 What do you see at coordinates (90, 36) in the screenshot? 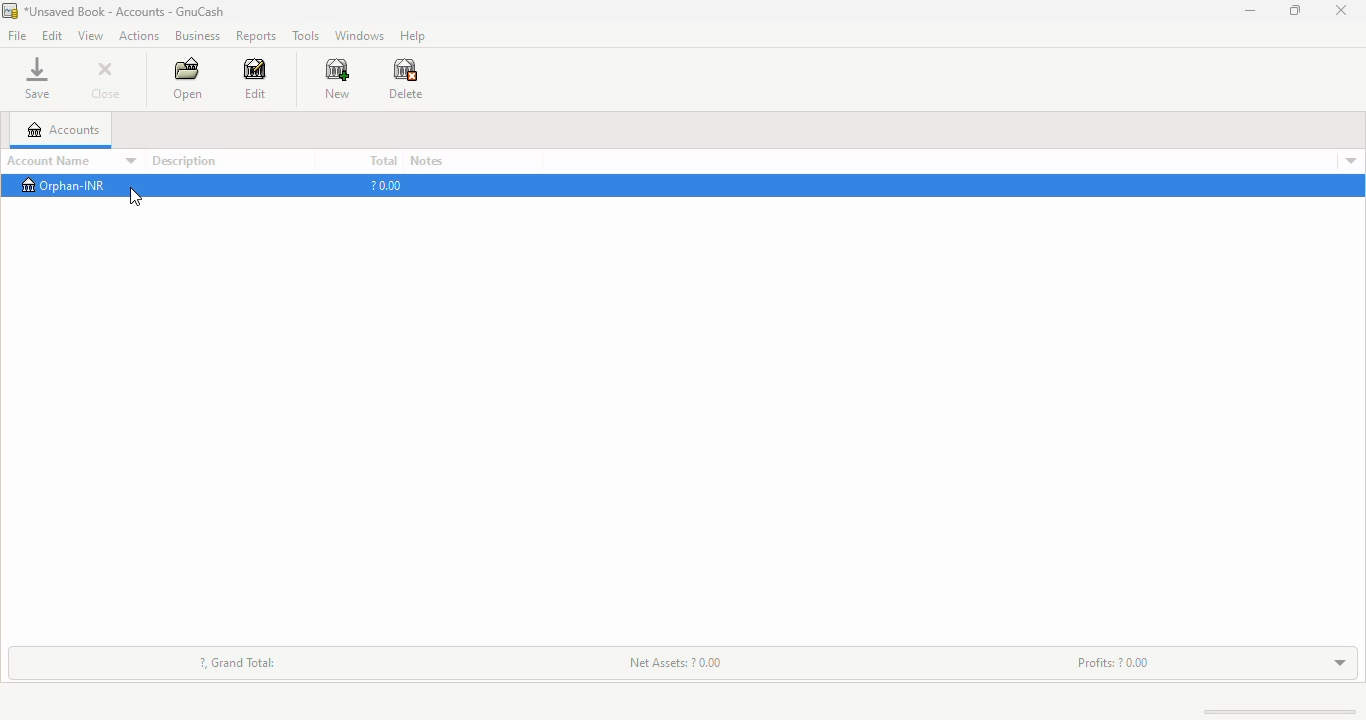
I see `view` at bounding box center [90, 36].